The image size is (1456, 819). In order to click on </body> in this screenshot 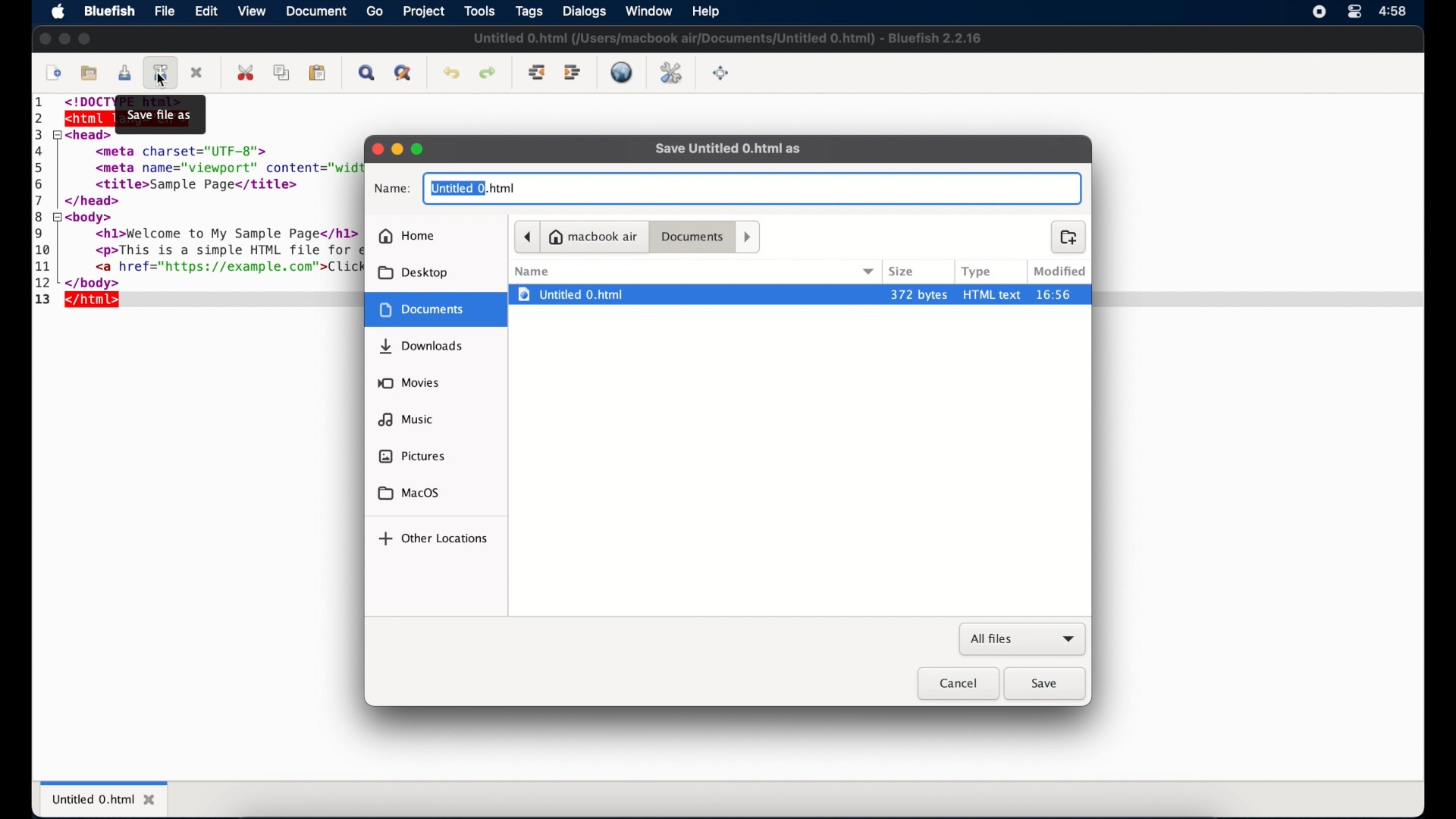, I will do `click(99, 282)`.